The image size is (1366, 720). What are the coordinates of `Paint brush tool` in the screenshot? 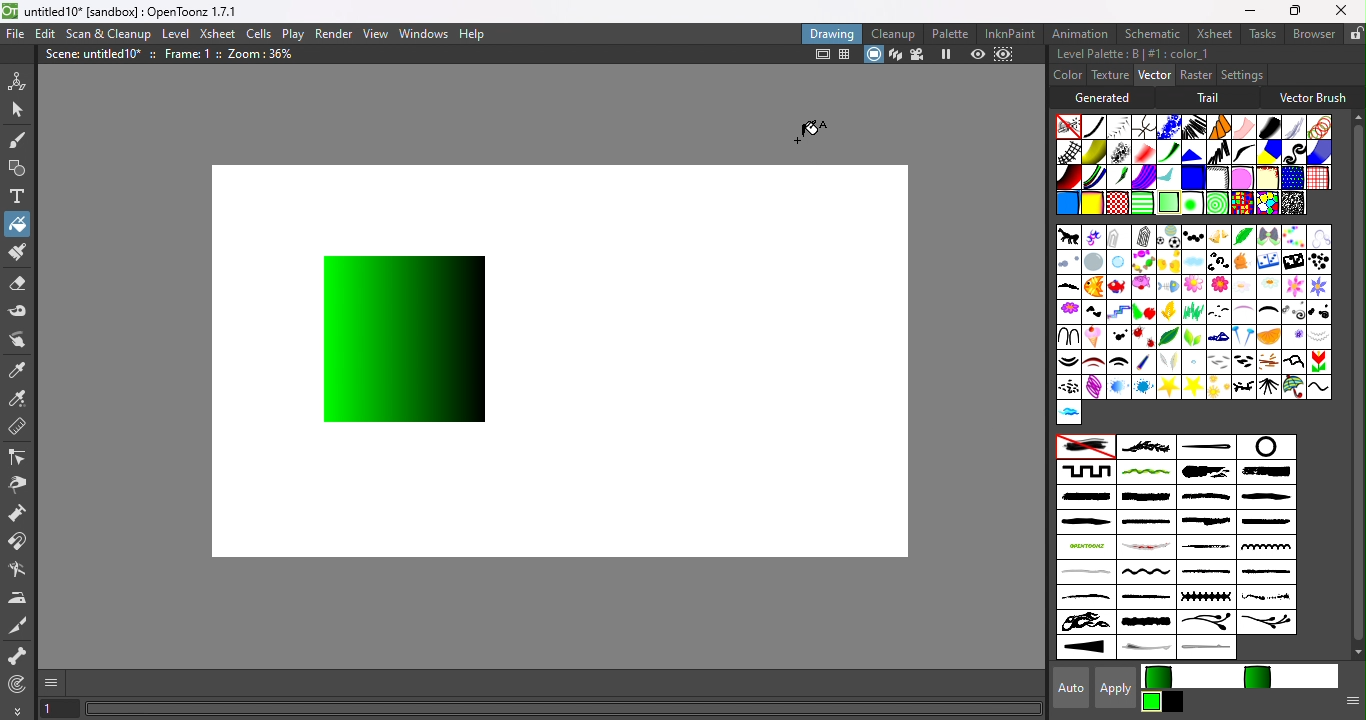 It's located at (16, 254).